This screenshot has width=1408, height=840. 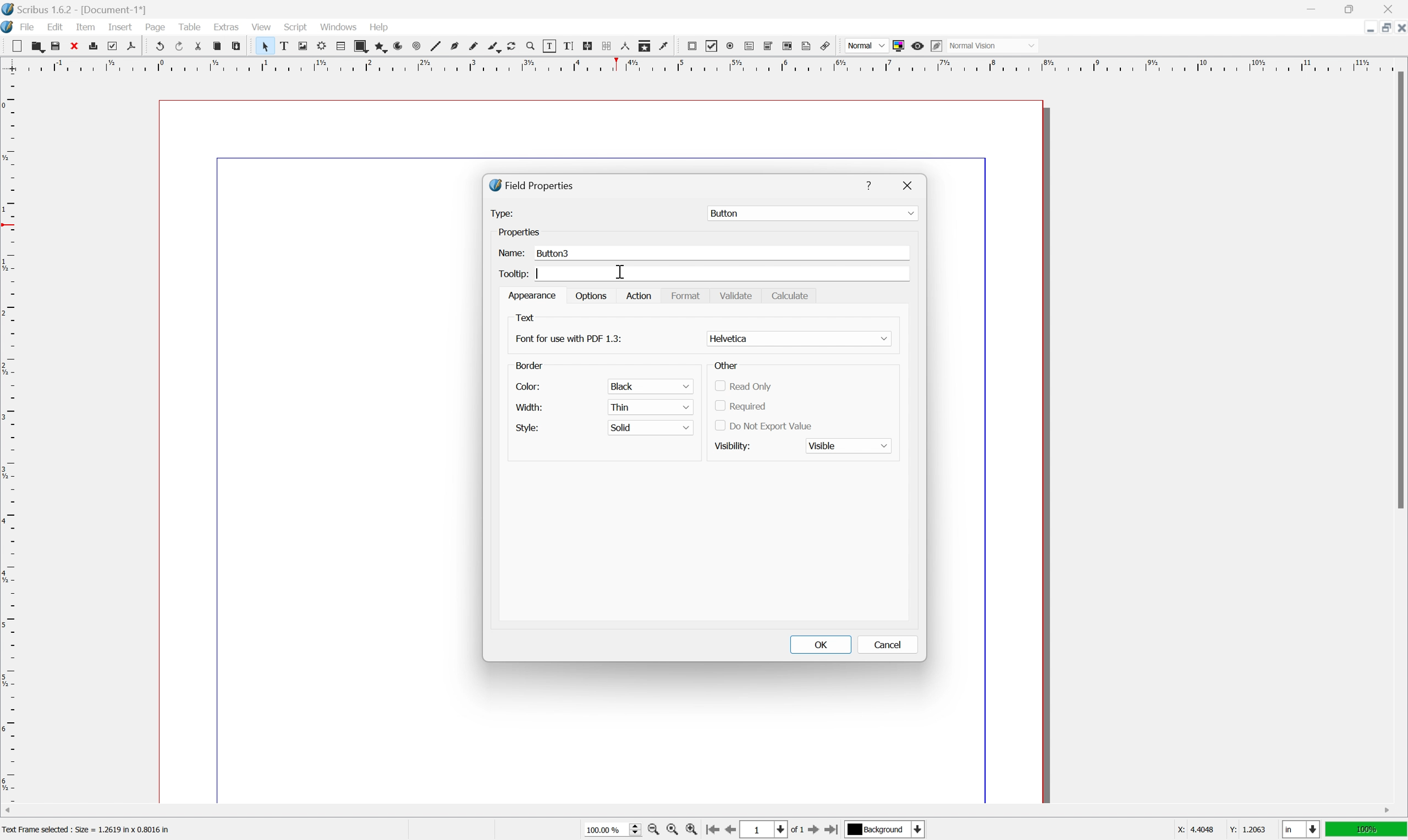 I want to click on cut, so click(x=198, y=45).